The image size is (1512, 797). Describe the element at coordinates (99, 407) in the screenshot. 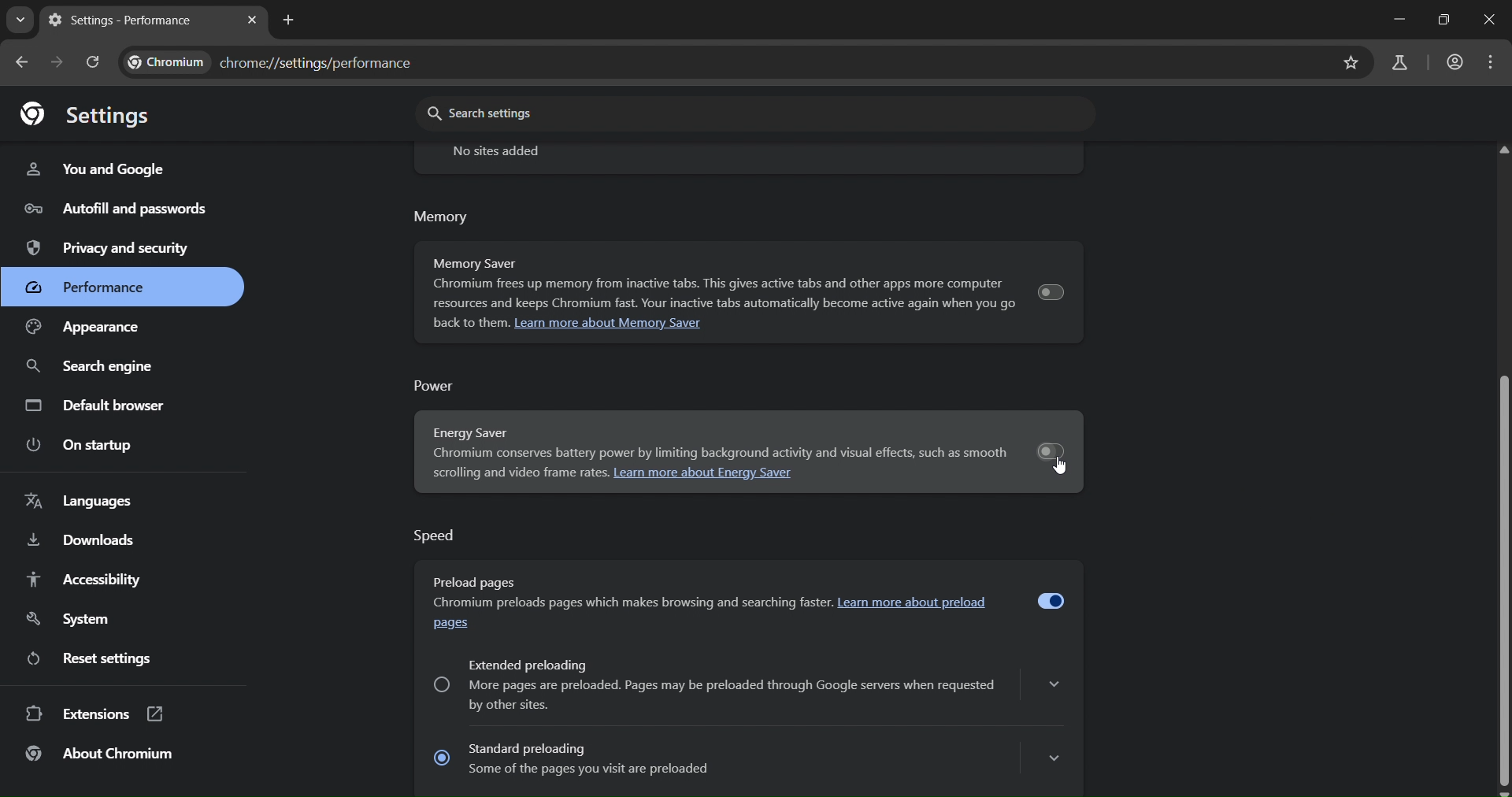

I see `default browser` at that location.